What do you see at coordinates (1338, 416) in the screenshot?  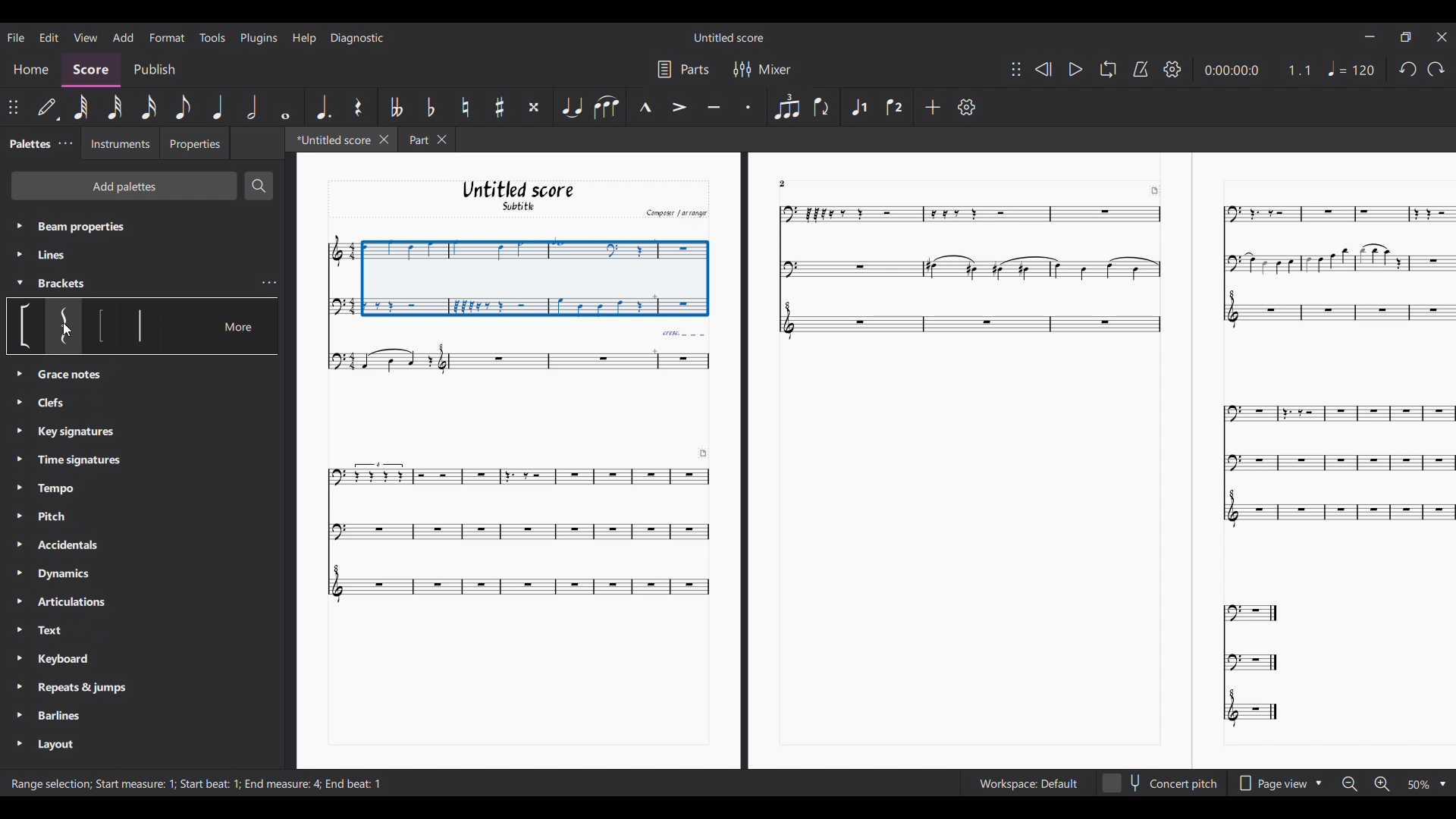 I see `` at bounding box center [1338, 416].